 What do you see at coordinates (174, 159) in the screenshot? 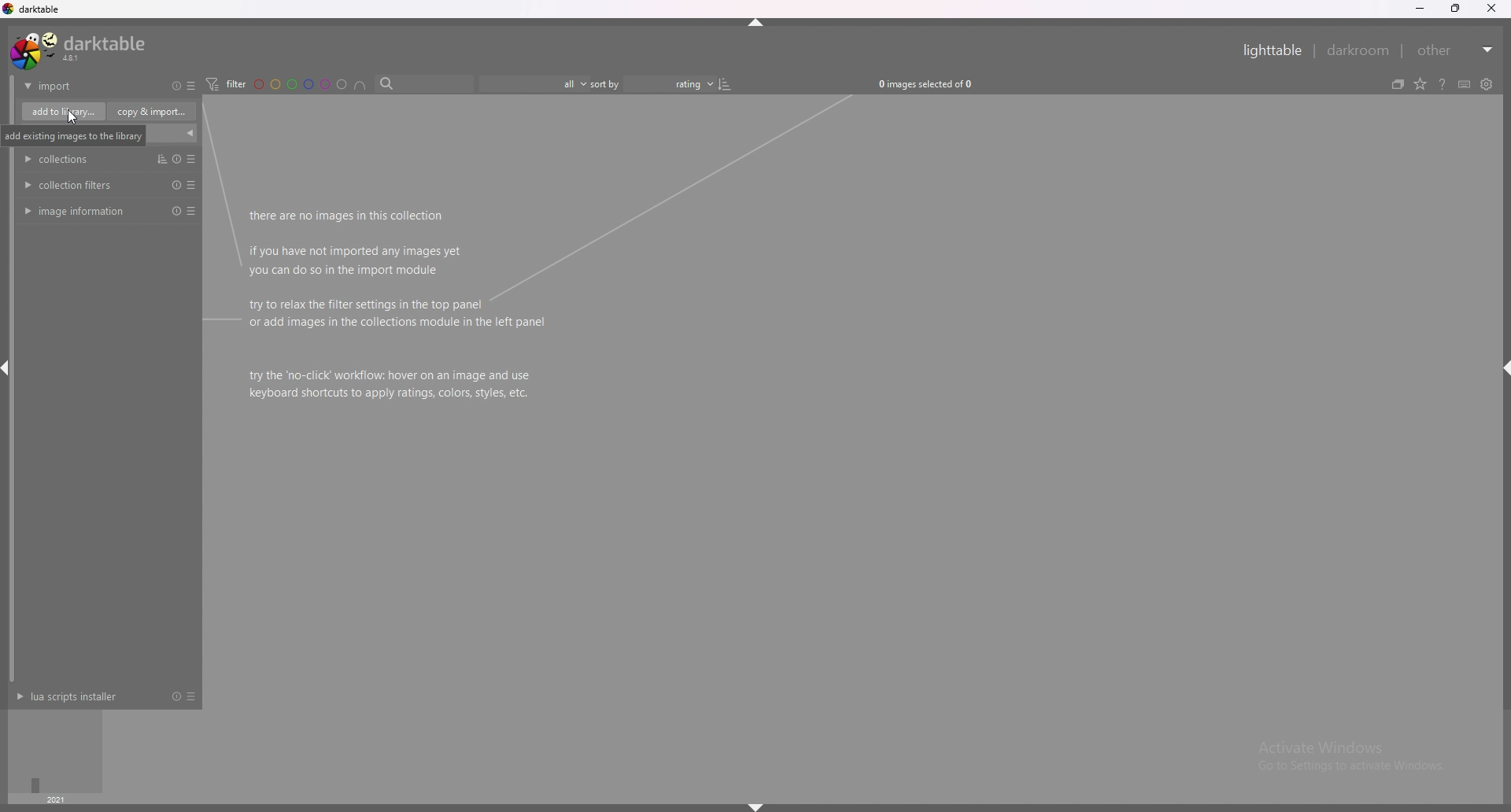
I see `reset` at bounding box center [174, 159].